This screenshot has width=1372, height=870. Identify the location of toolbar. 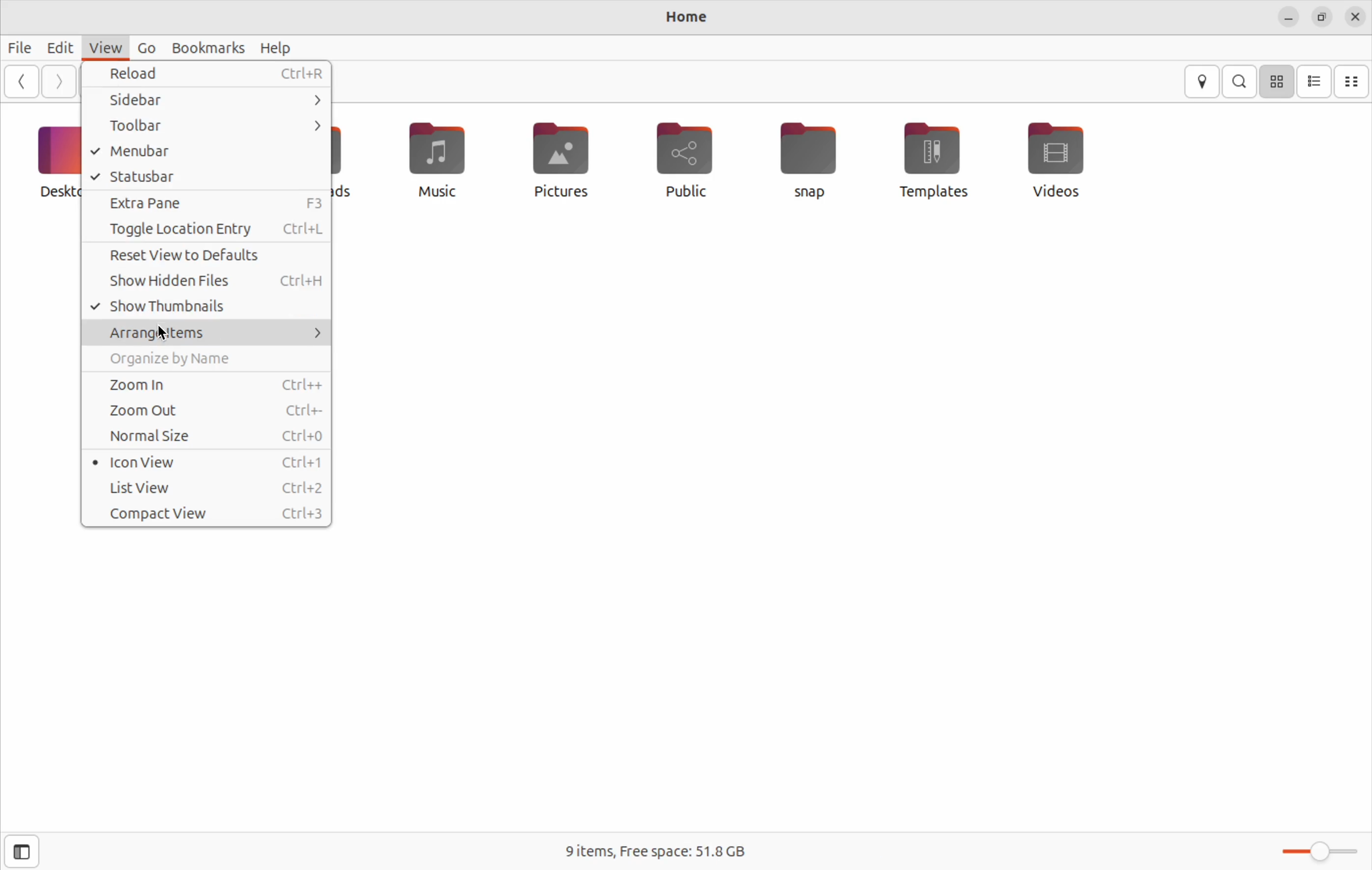
(212, 125).